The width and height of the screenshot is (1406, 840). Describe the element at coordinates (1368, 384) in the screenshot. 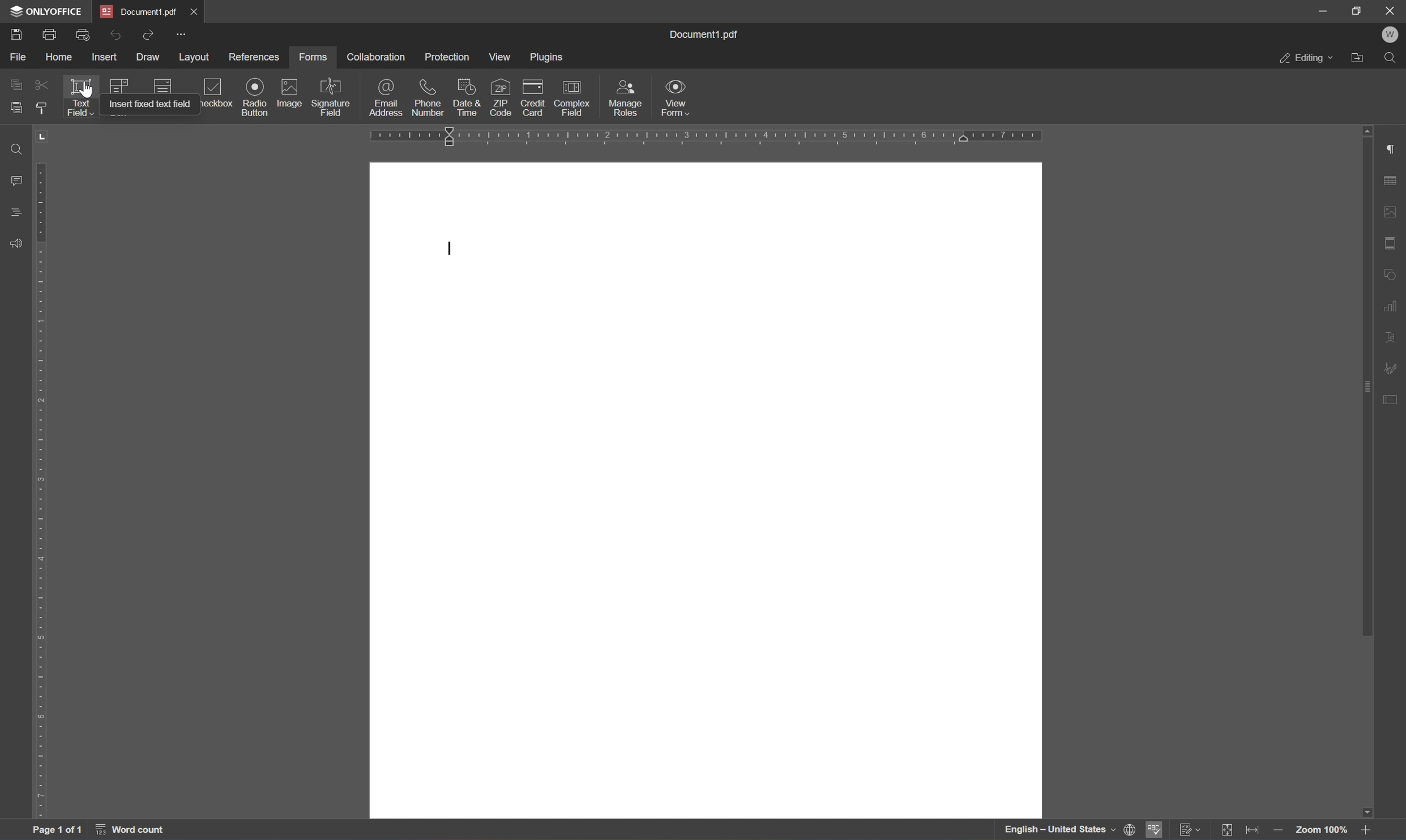

I see `scroll bar` at that location.